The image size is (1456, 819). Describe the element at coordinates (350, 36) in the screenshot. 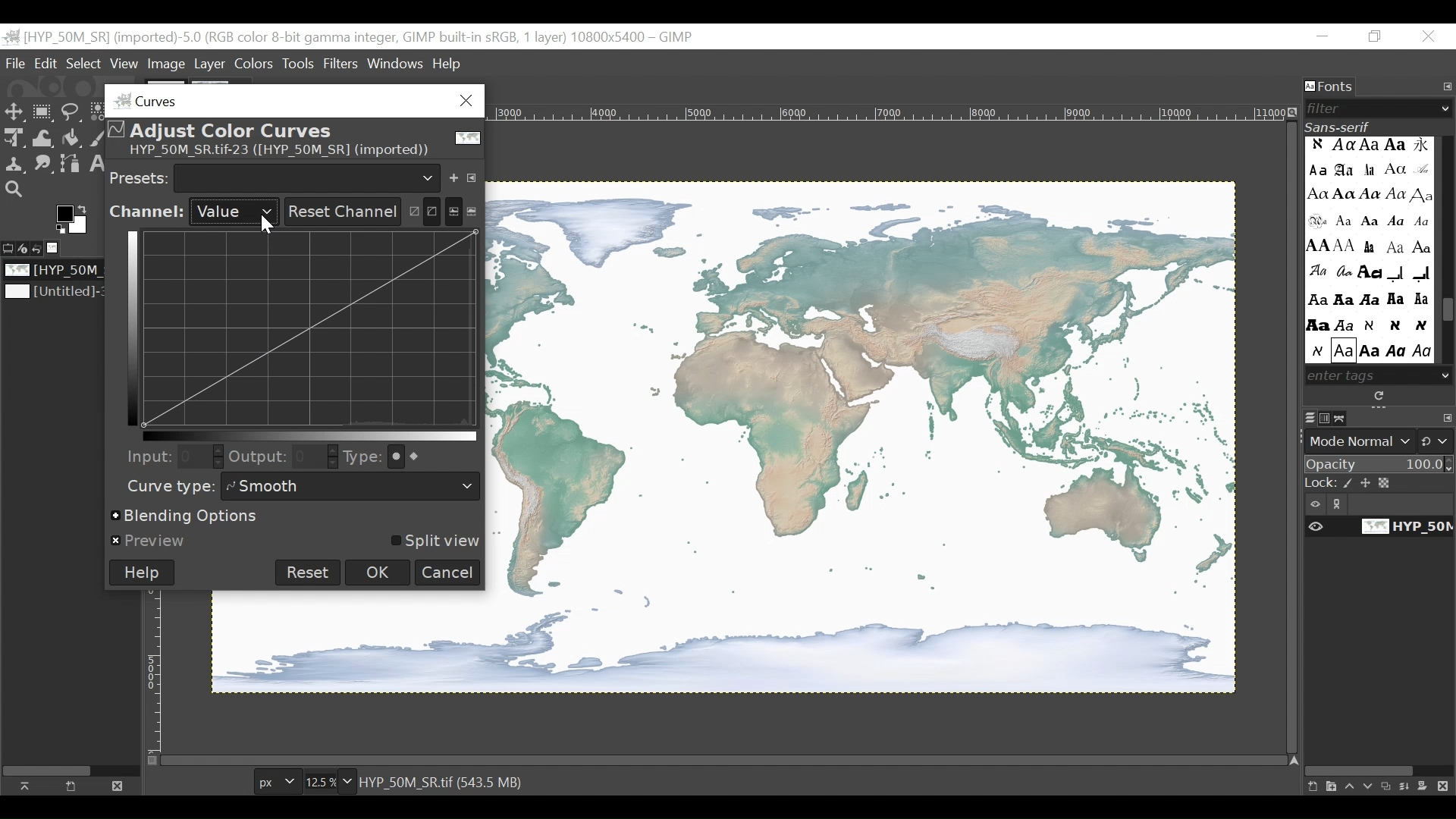

I see `untitled -36.0 (rgb color 8-bit gamma integer , gimp built in stgb, 1 layer) 1174x788 - gimp` at that location.